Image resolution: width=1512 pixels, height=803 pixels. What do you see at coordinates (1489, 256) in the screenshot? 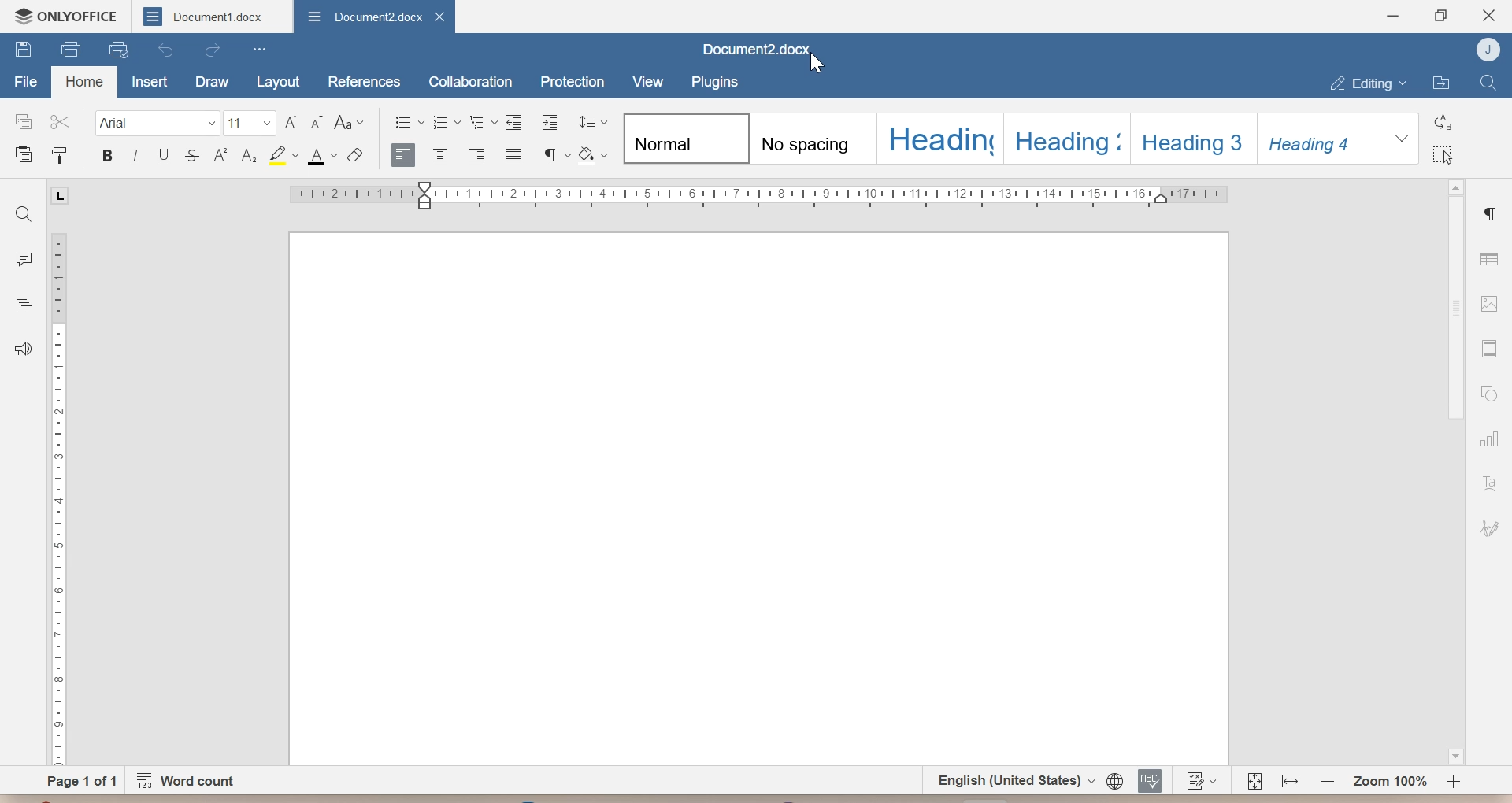
I see `Table` at bounding box center [1489, 256].